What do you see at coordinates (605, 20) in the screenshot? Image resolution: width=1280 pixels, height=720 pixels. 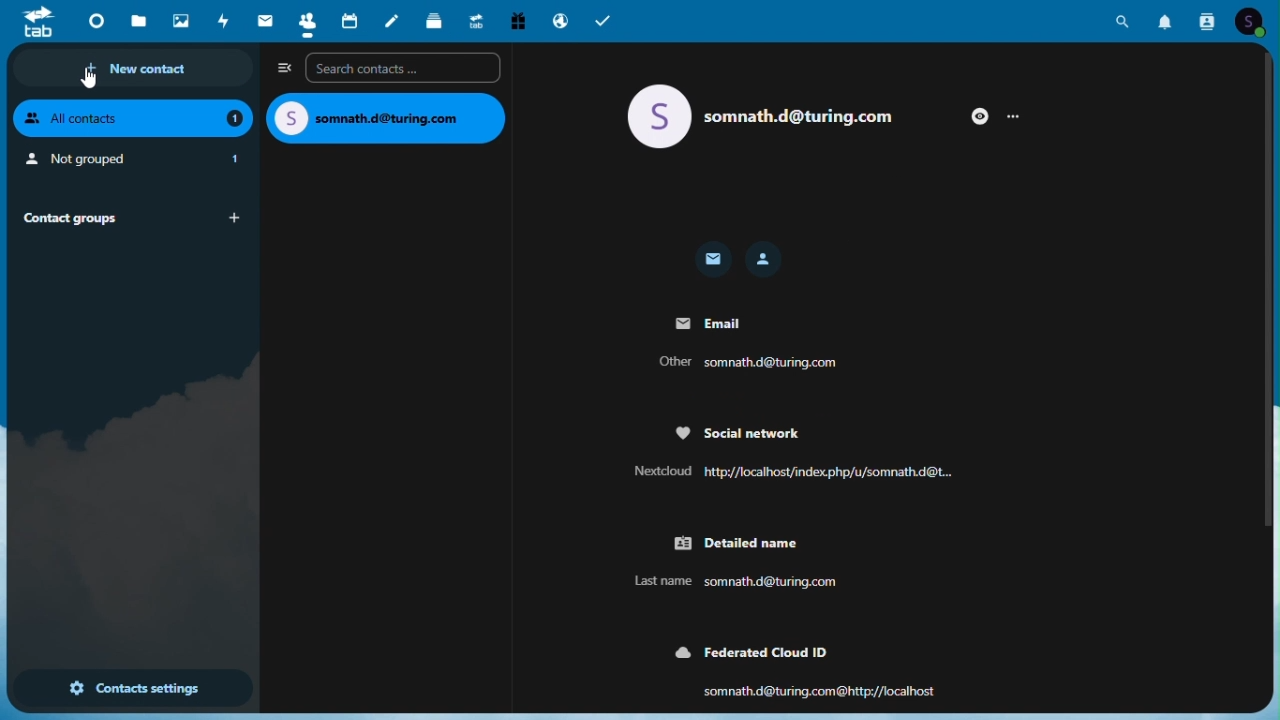 I see `Tasks` at bounding box center [605, 20].